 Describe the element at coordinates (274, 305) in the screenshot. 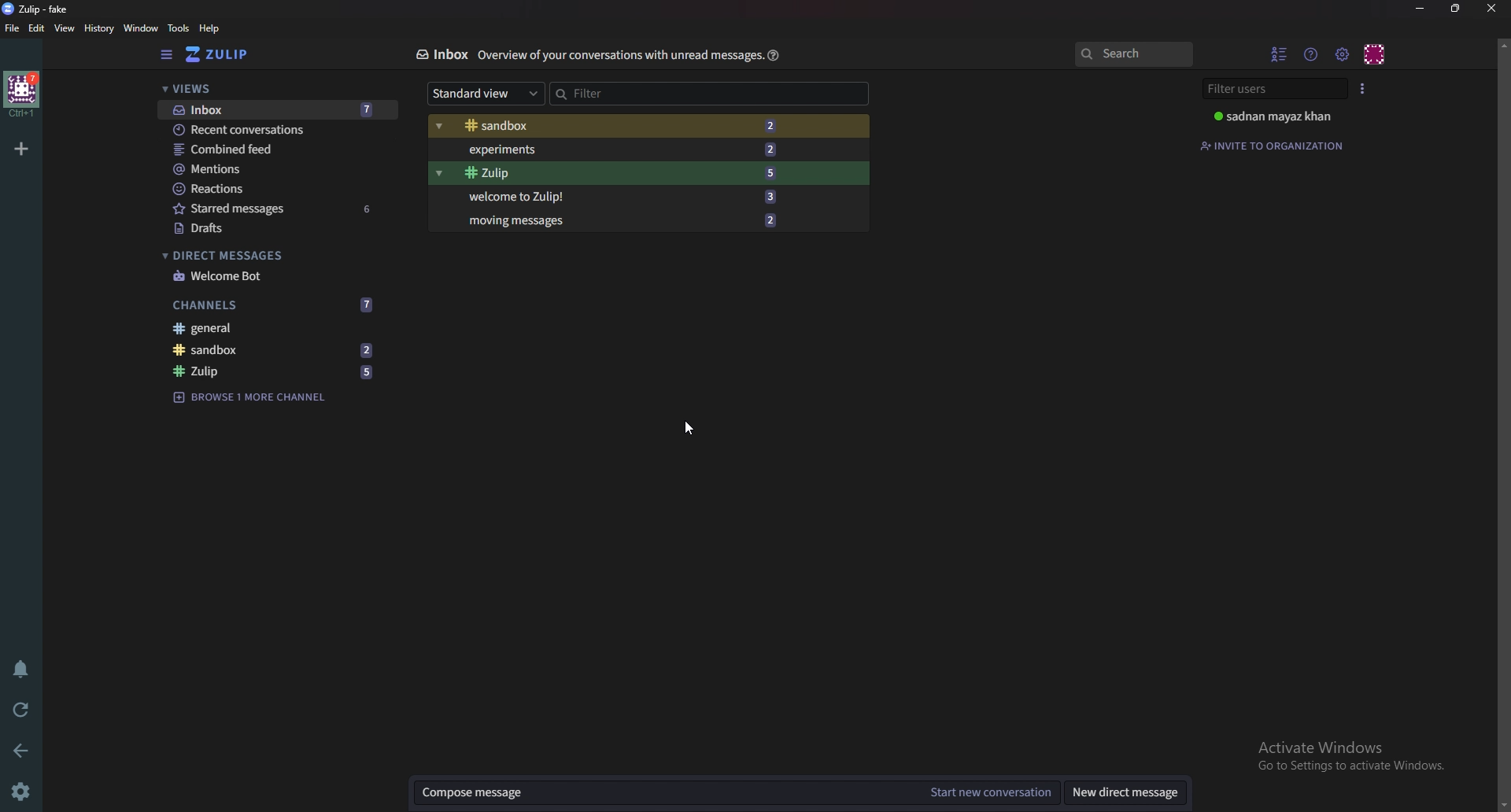

I see `Channels` at that location.